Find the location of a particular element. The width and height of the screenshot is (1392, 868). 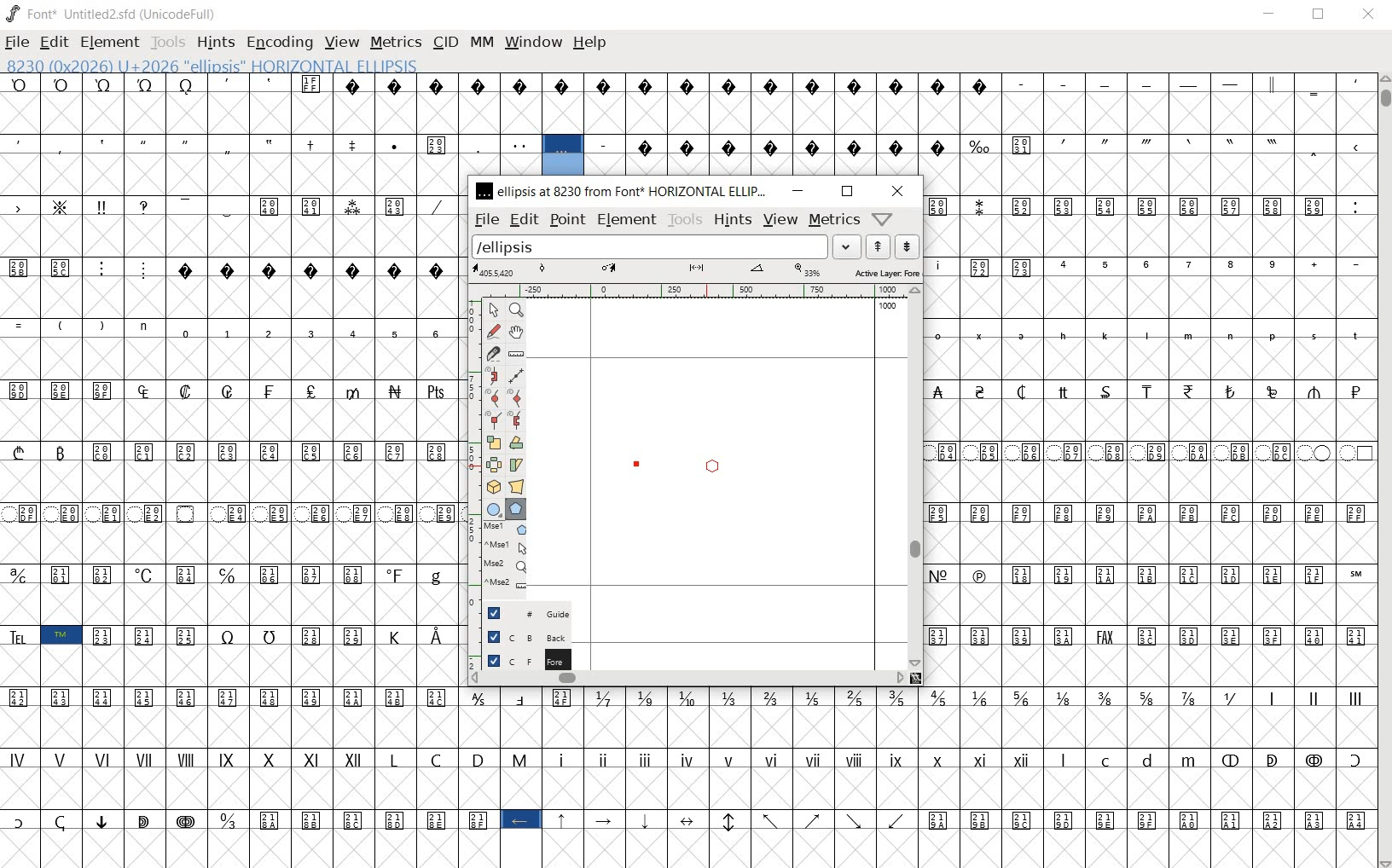

perform a perspective transformation on the selection is located at coordinates (517, 486).